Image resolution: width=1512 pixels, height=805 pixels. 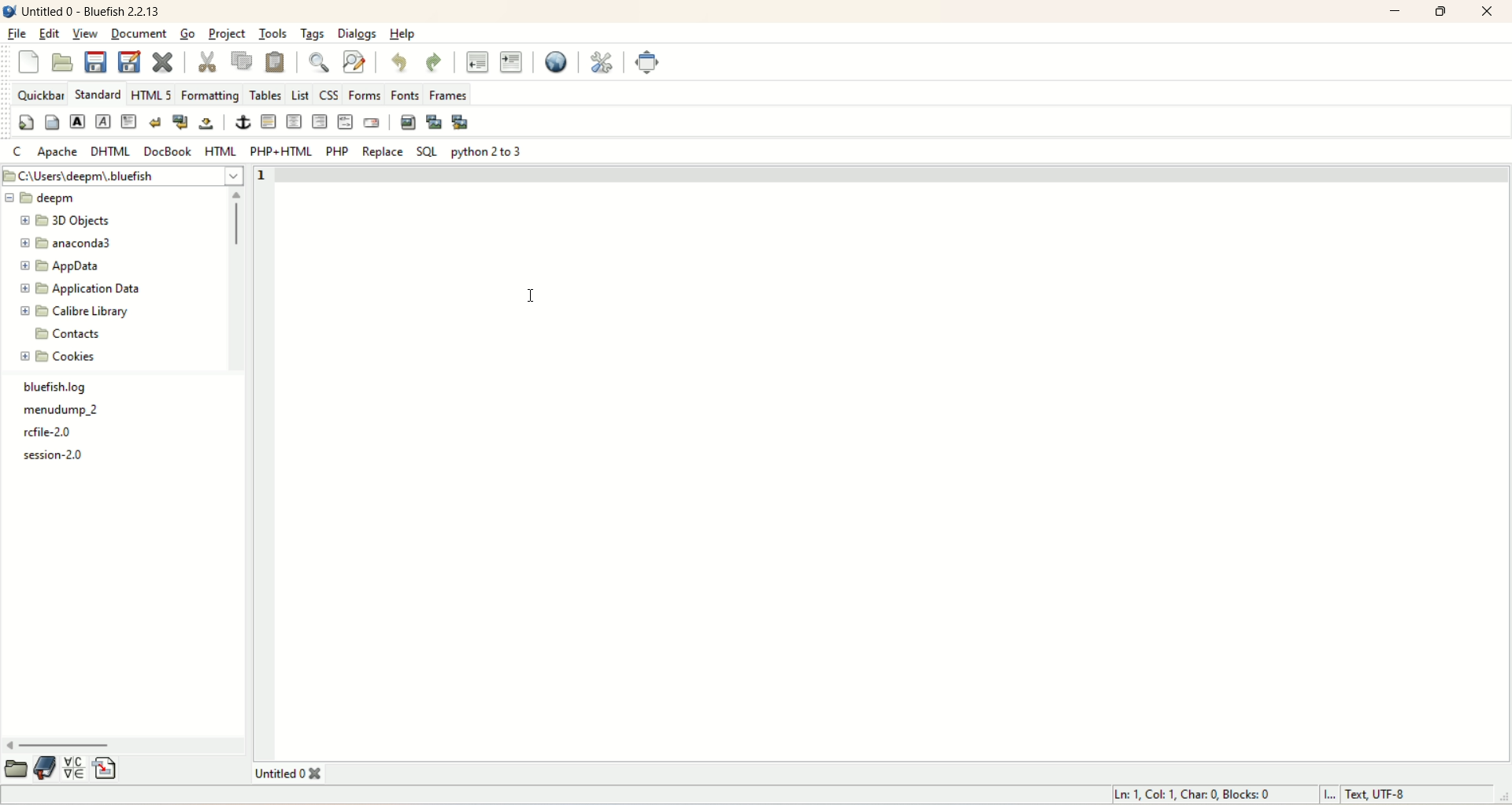 What do you see at coordinates (606, 63) in the screenshot?
I see `edit preferences` at bounding box center [606, 63].